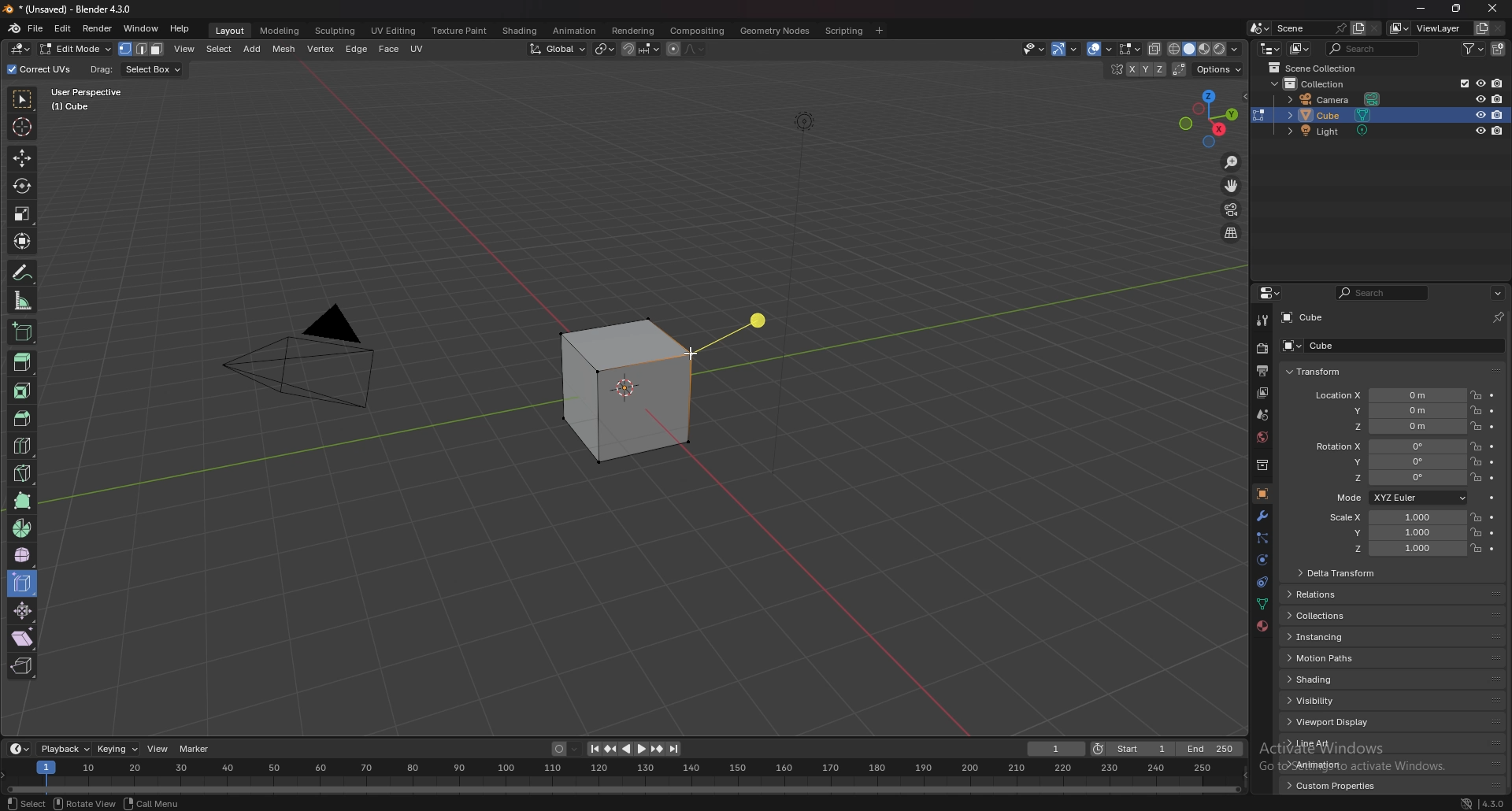 The width and height of the screenshot is (1512, 811). Describe the element at coordinates (690, 354) in the screenshot. I see `cursor` at that location.